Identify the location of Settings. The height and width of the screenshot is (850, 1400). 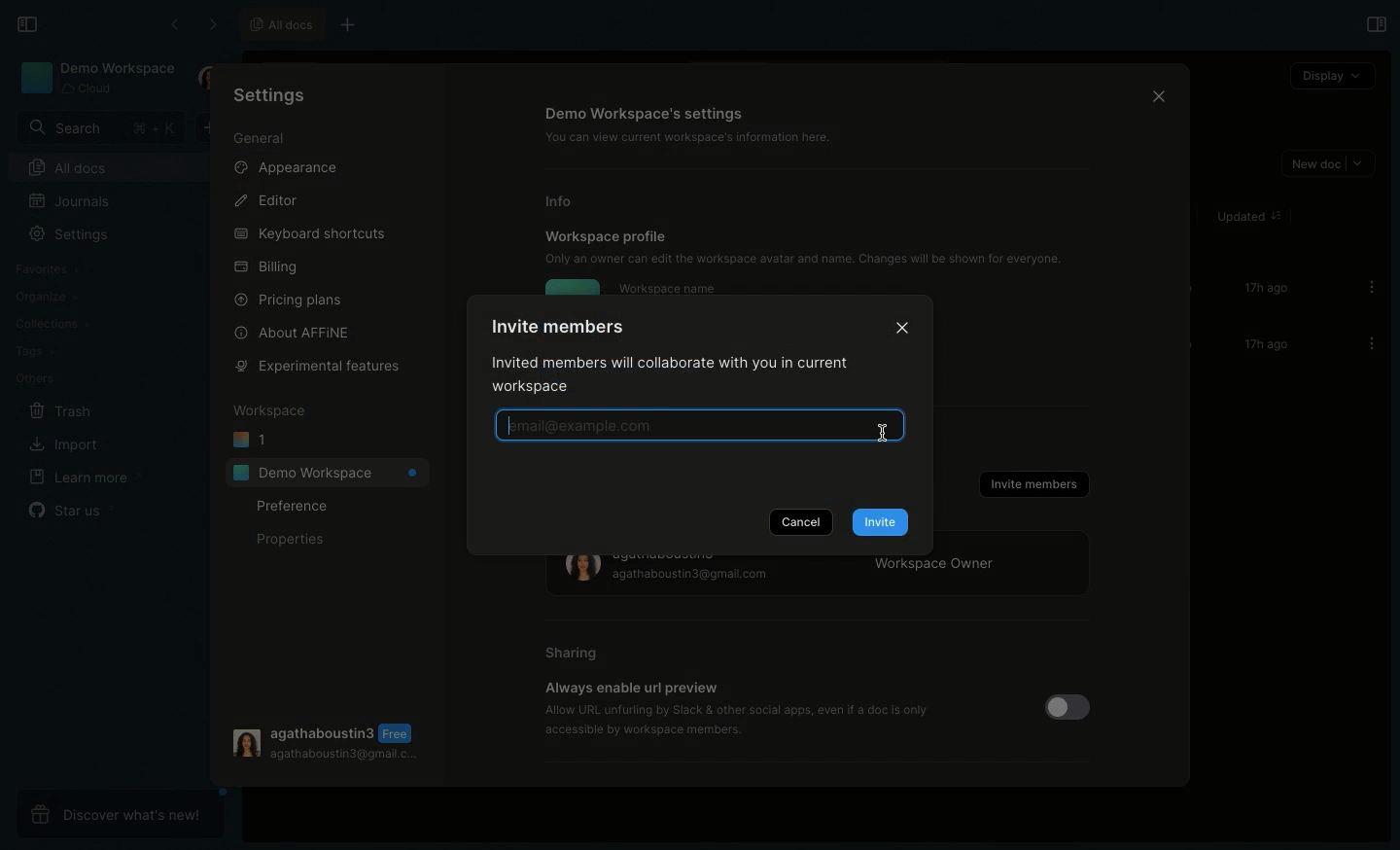
(278, 98).